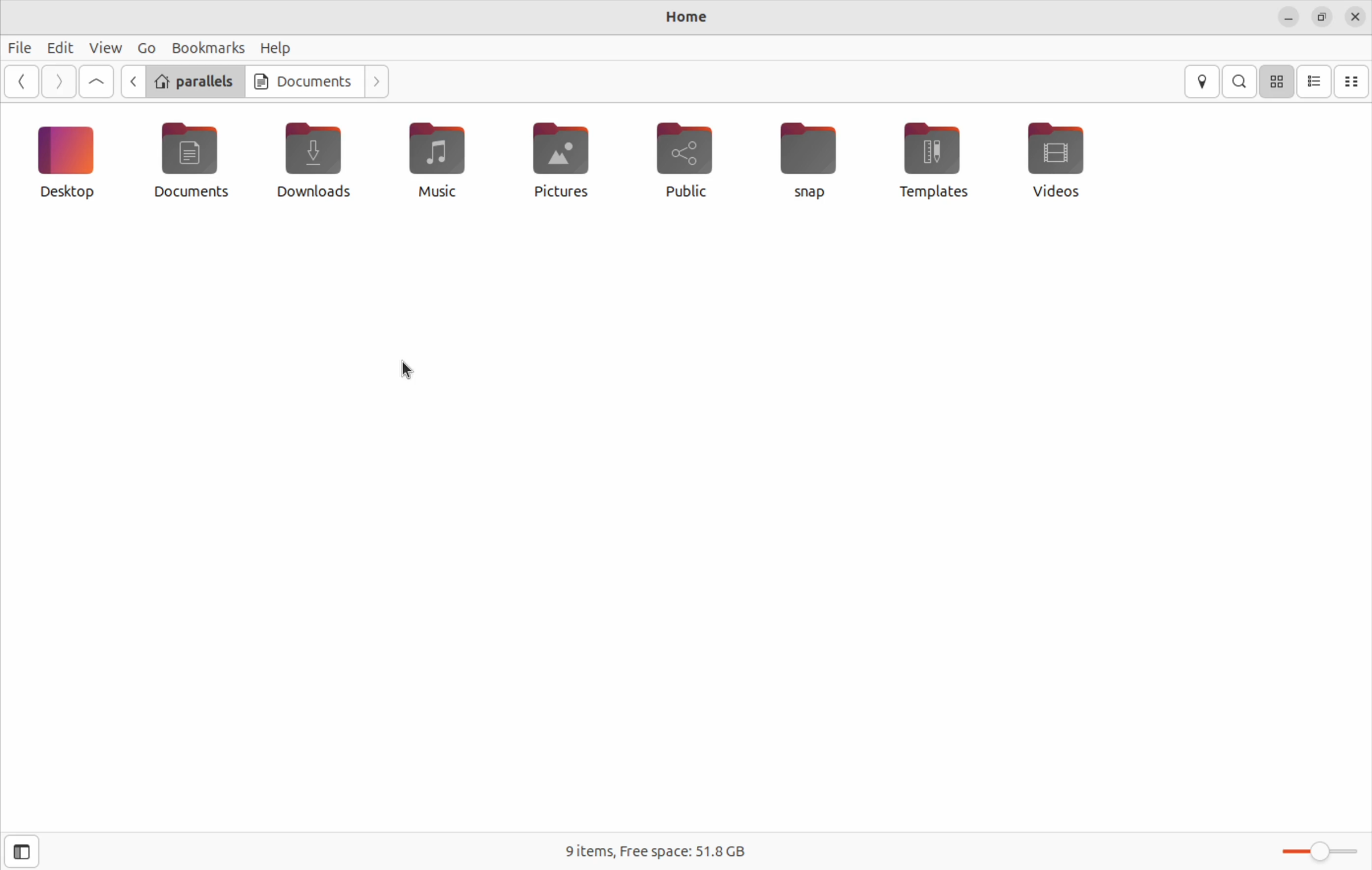 The height and width of the screenshot is (870, 1372). Describe the element at coordinates (440, 164) in the screenshot. I see `Public` at that location.